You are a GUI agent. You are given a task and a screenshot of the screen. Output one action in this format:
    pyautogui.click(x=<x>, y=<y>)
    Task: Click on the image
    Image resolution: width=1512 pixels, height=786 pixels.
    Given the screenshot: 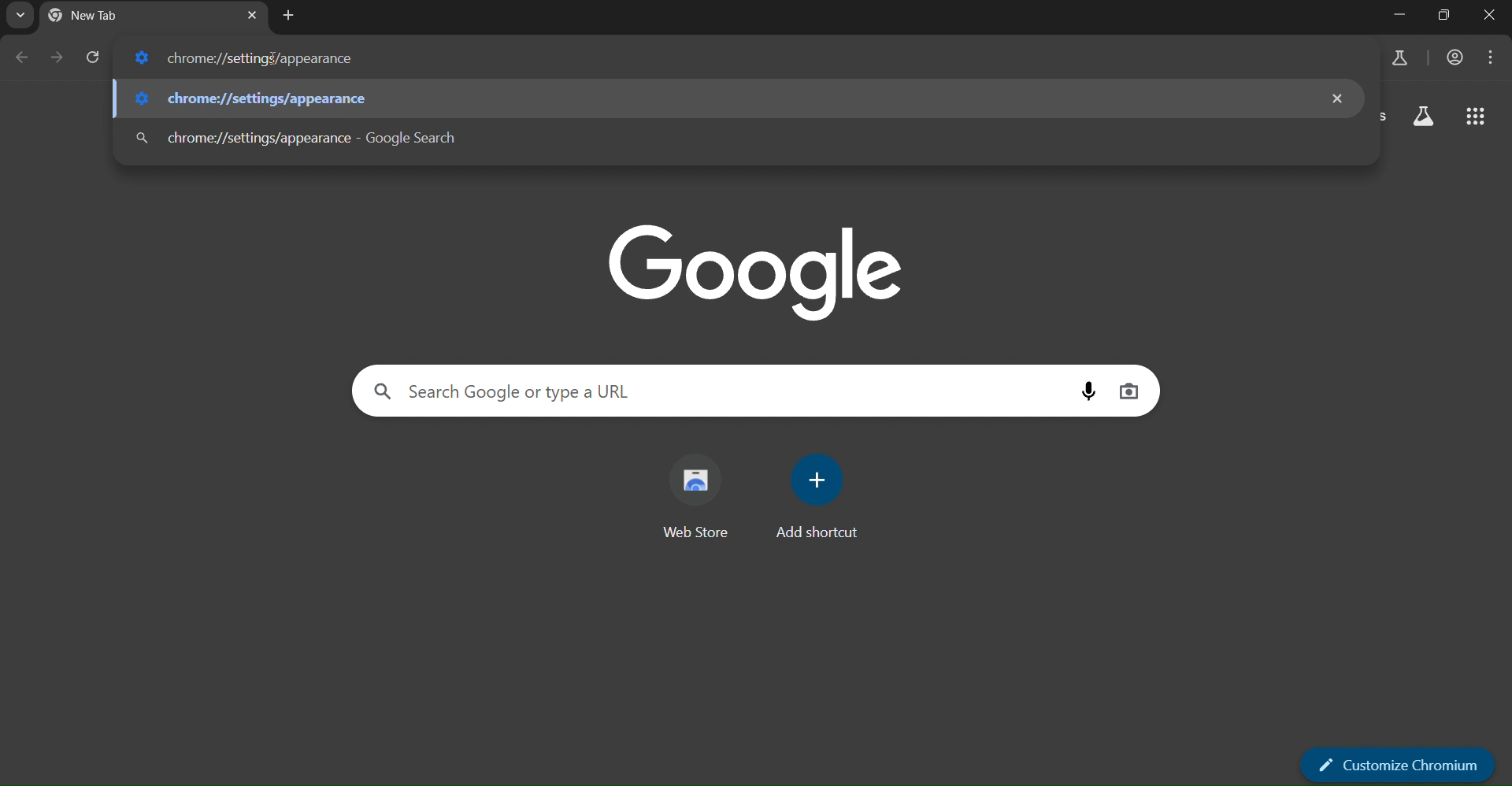 What is the action you would take?
    pyautogui.click(x=752, y=272)
    